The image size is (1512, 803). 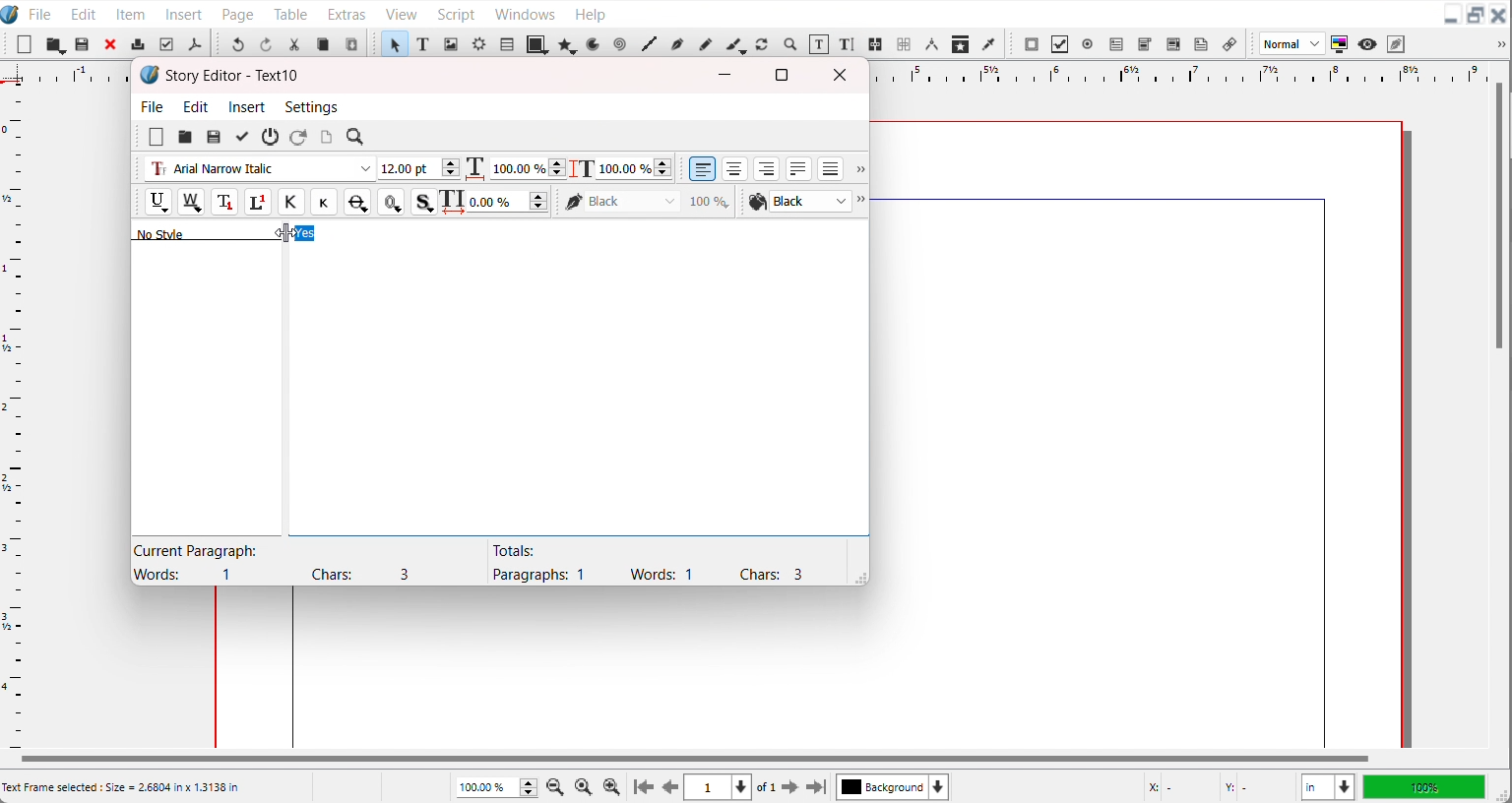 What do you see at coordinates (1498, 44) in the screenshot?
I see `Drop down box` at bounding box center [1498, 44].